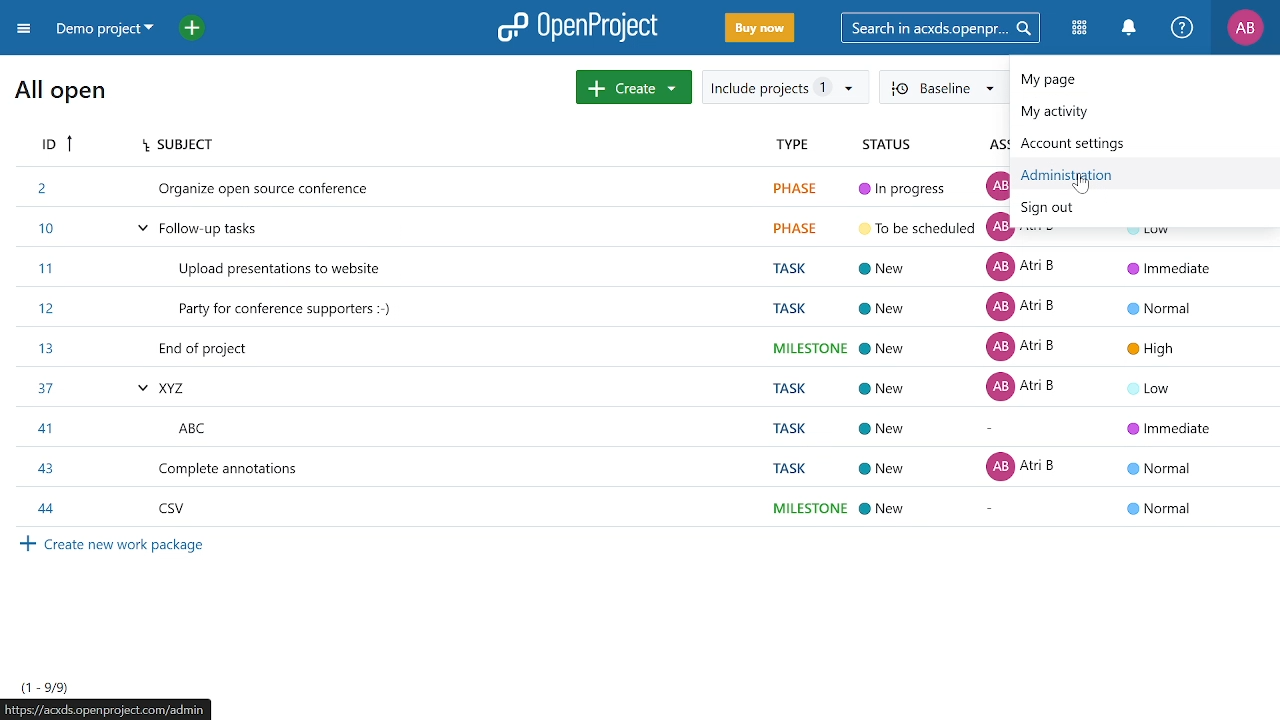  What do you see at coordinates (115, 711) in the screenshot?
I see `https path` at bounding box center [115, 711].